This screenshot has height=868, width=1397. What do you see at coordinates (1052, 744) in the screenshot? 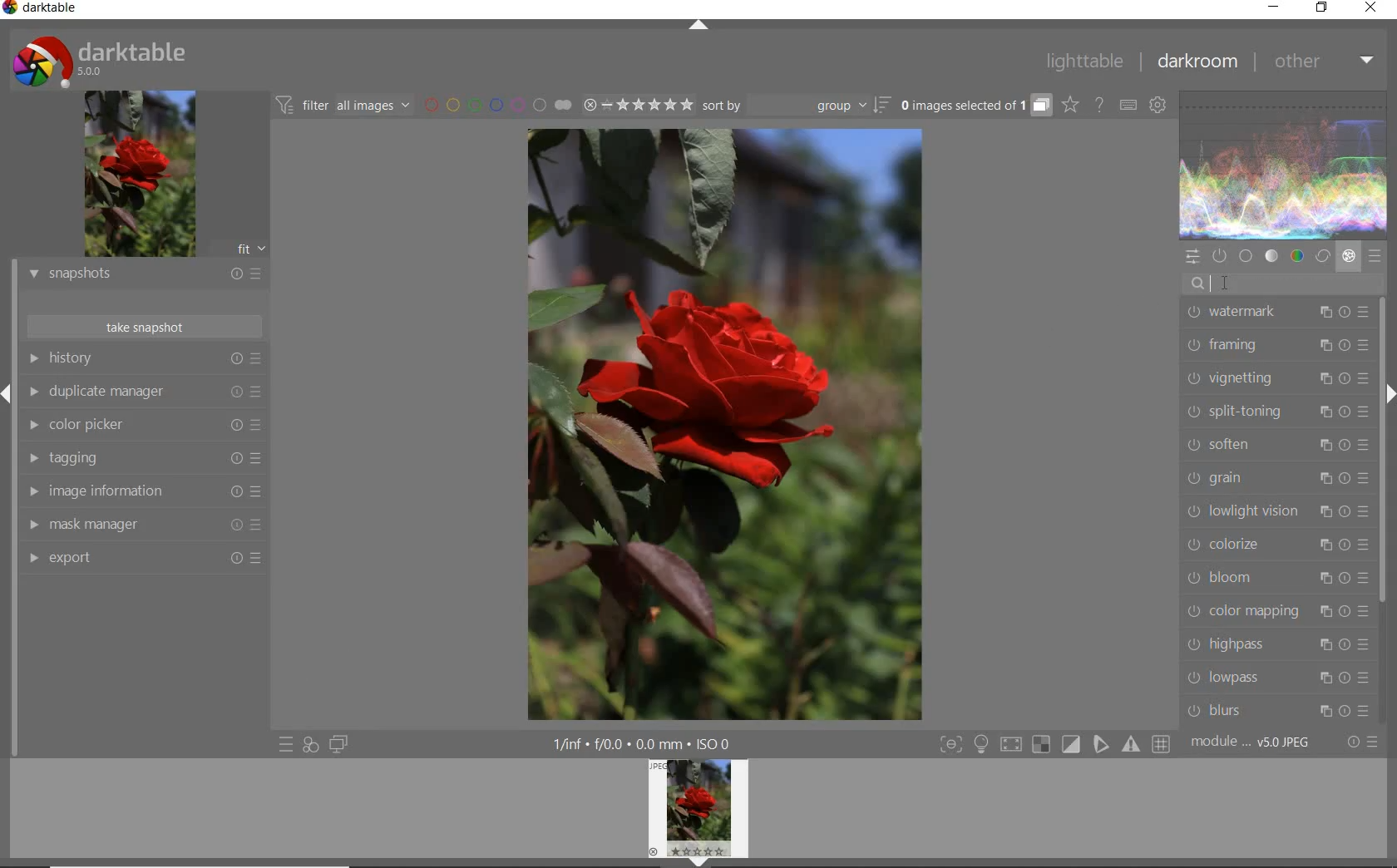
I see `Toggle modes` at bounding box center [1052, 744].